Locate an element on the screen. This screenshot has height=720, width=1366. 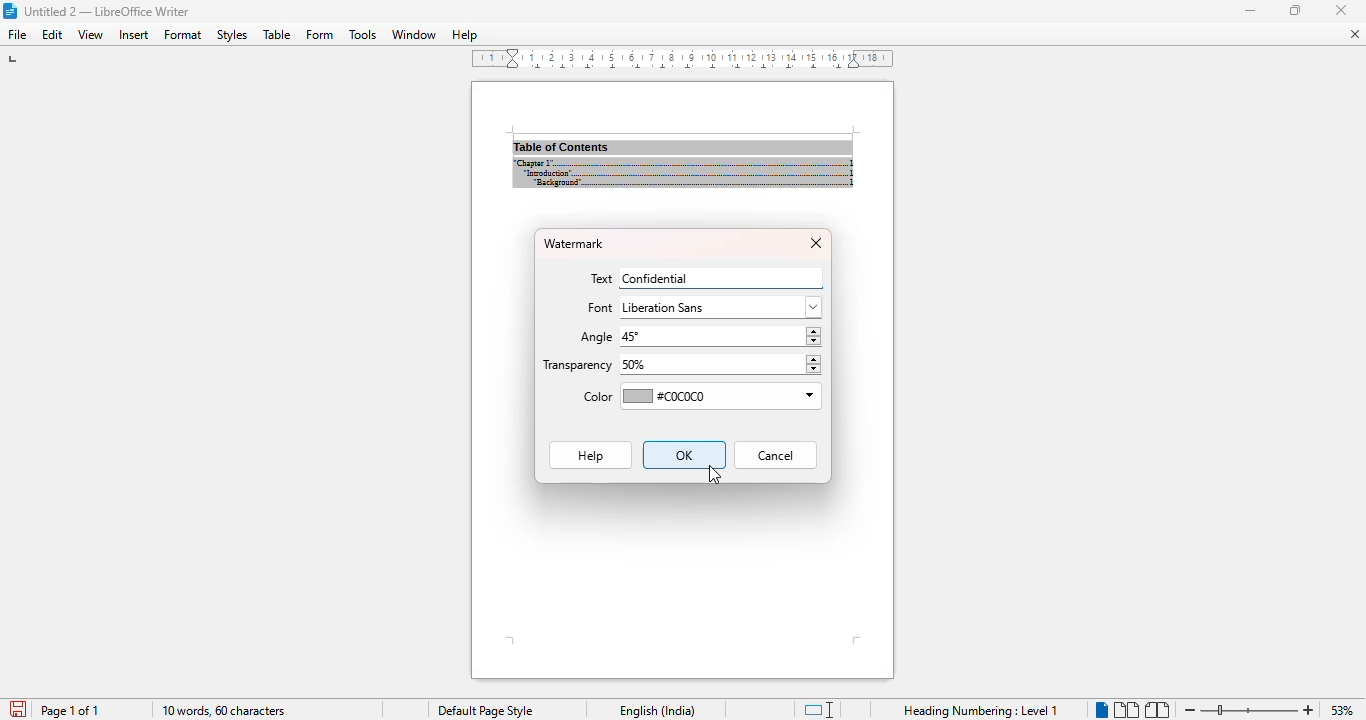
document is located at coordinates (683, 146).